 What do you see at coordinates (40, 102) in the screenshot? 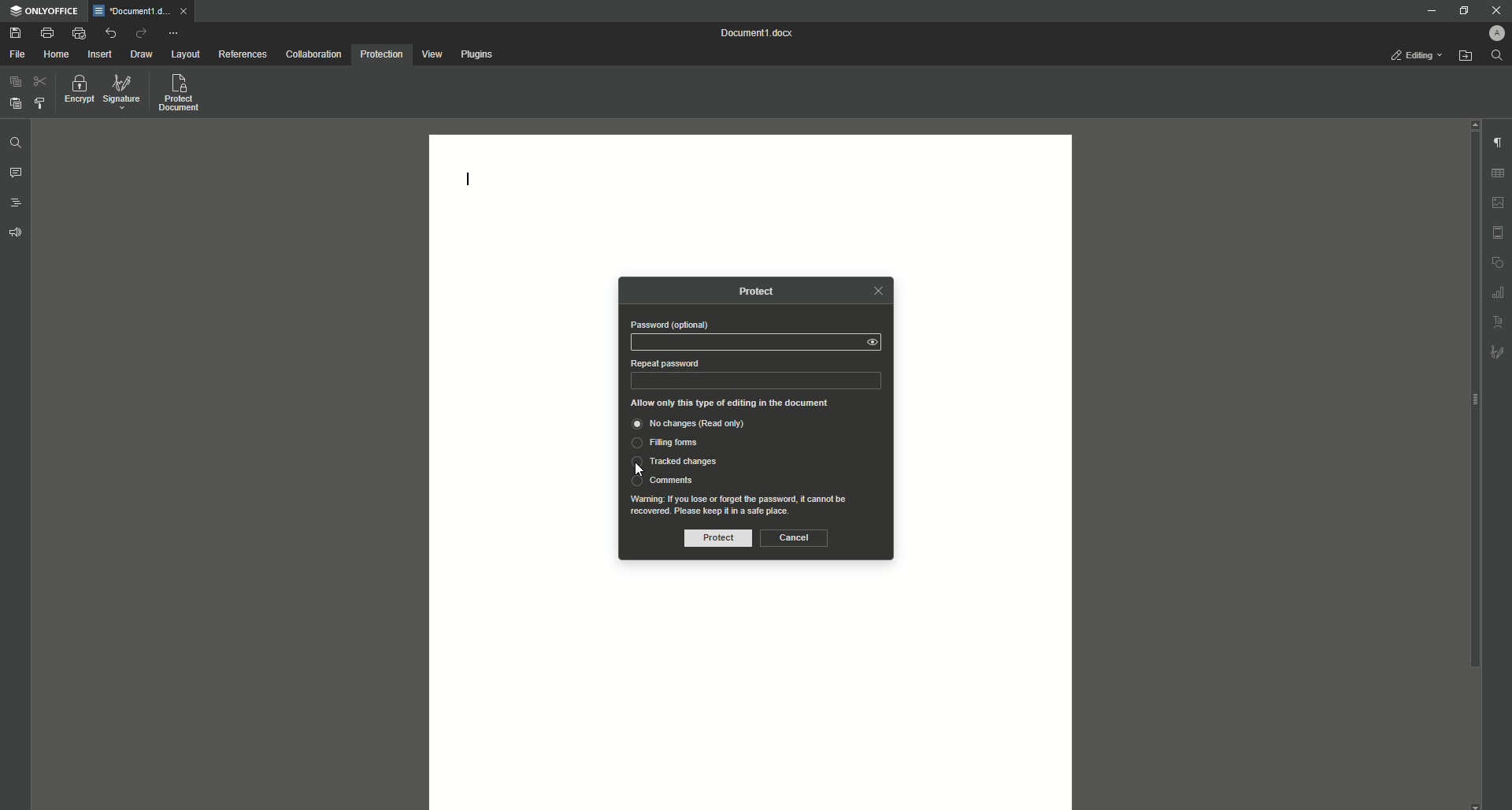
I see `Choose Styling` at bounding box center [40, 102].